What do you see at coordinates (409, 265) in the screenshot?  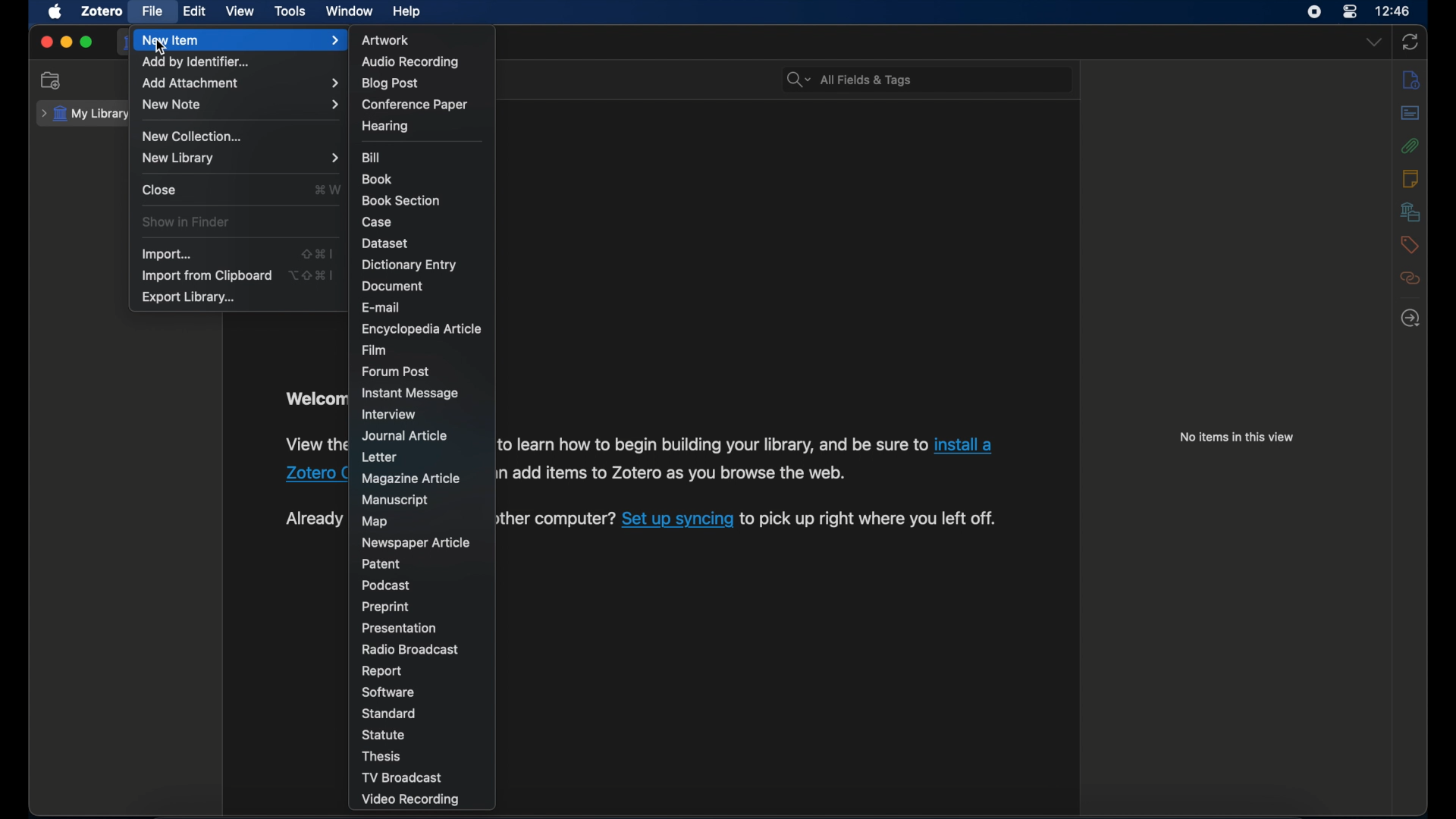 I see `dictionary entry` at bounding box center [409, 265].